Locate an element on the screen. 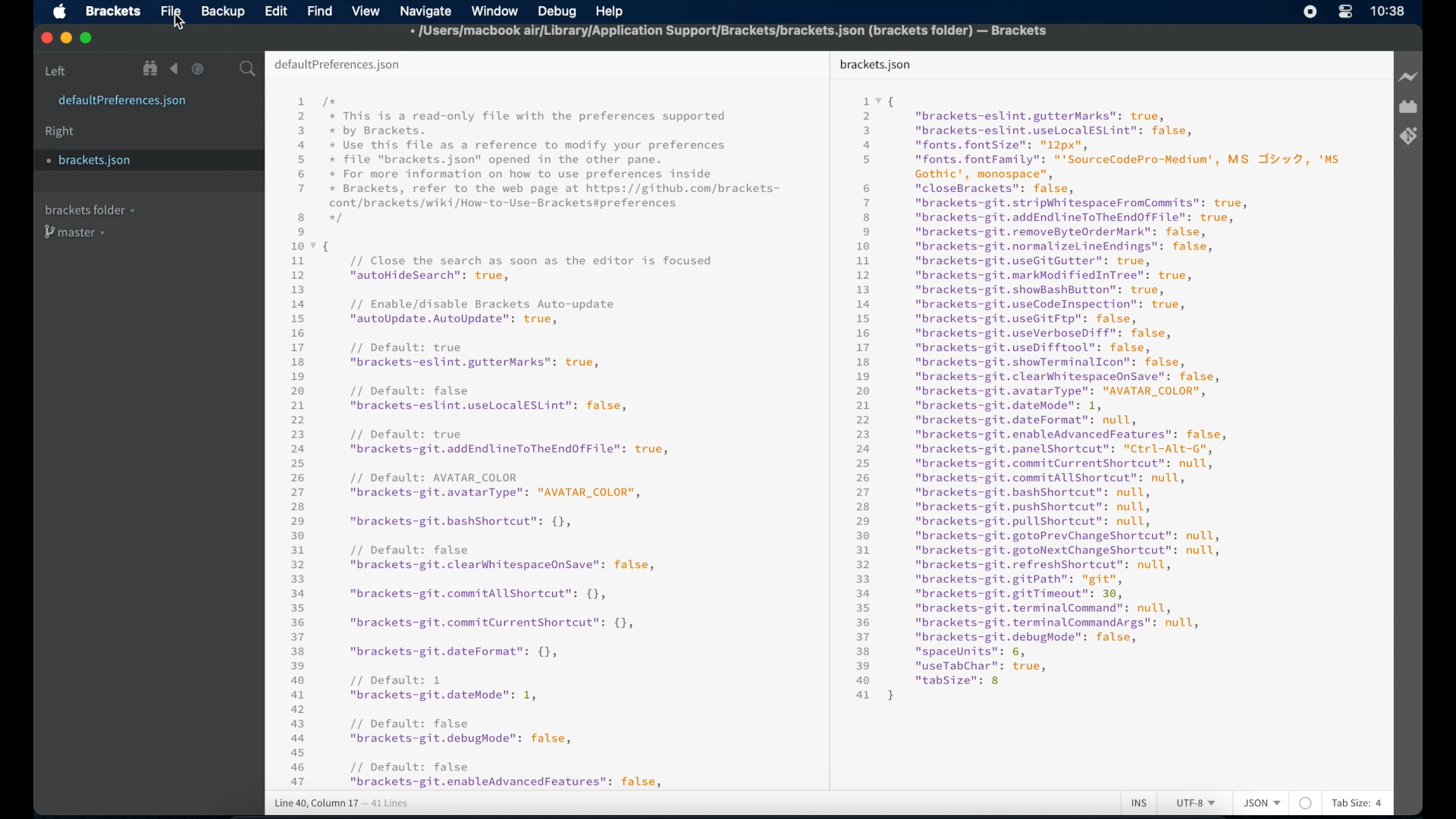  right is located at coordinates (60, 132).